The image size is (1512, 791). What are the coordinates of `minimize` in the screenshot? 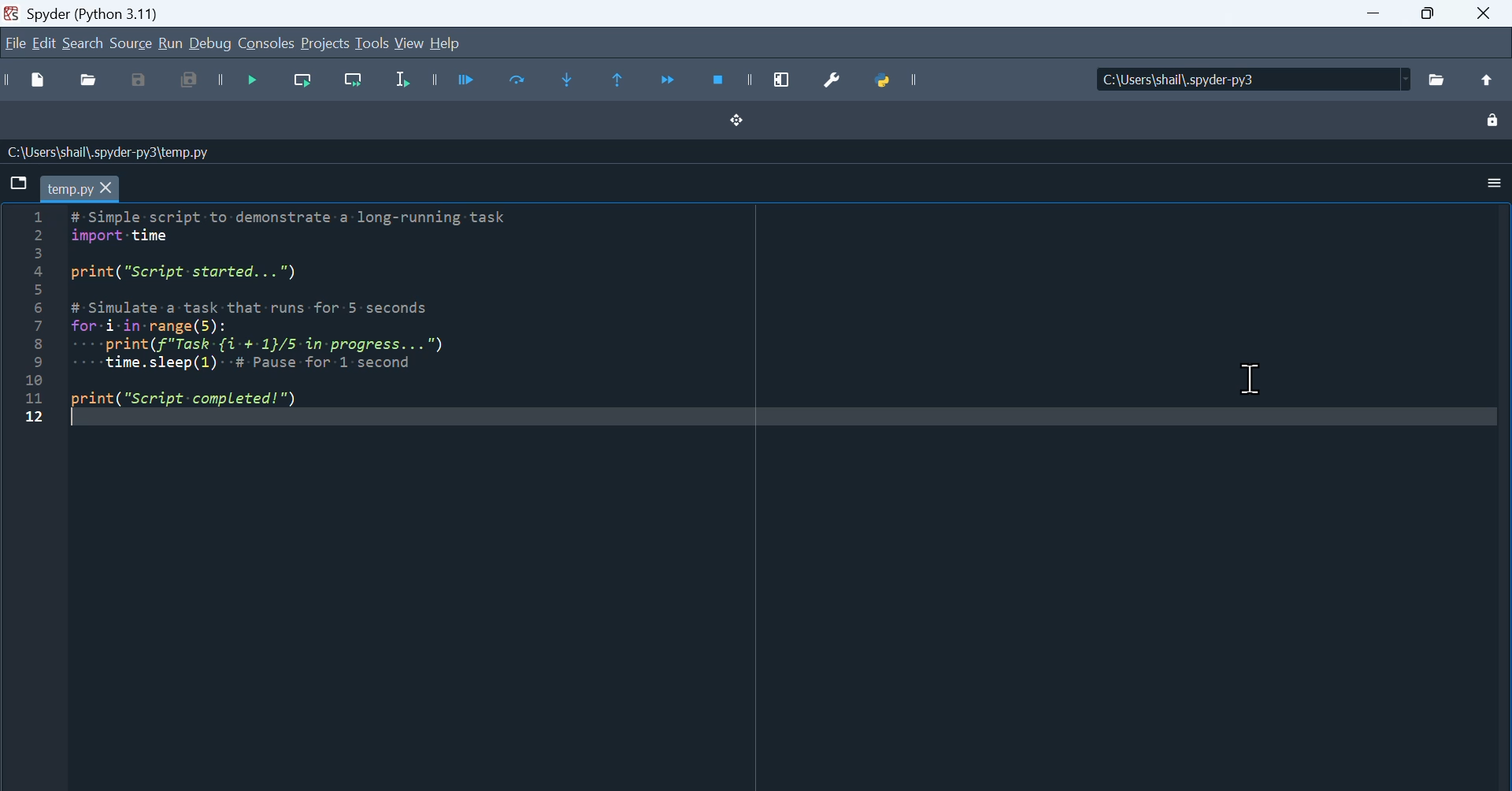 It's located at (1371, 15).